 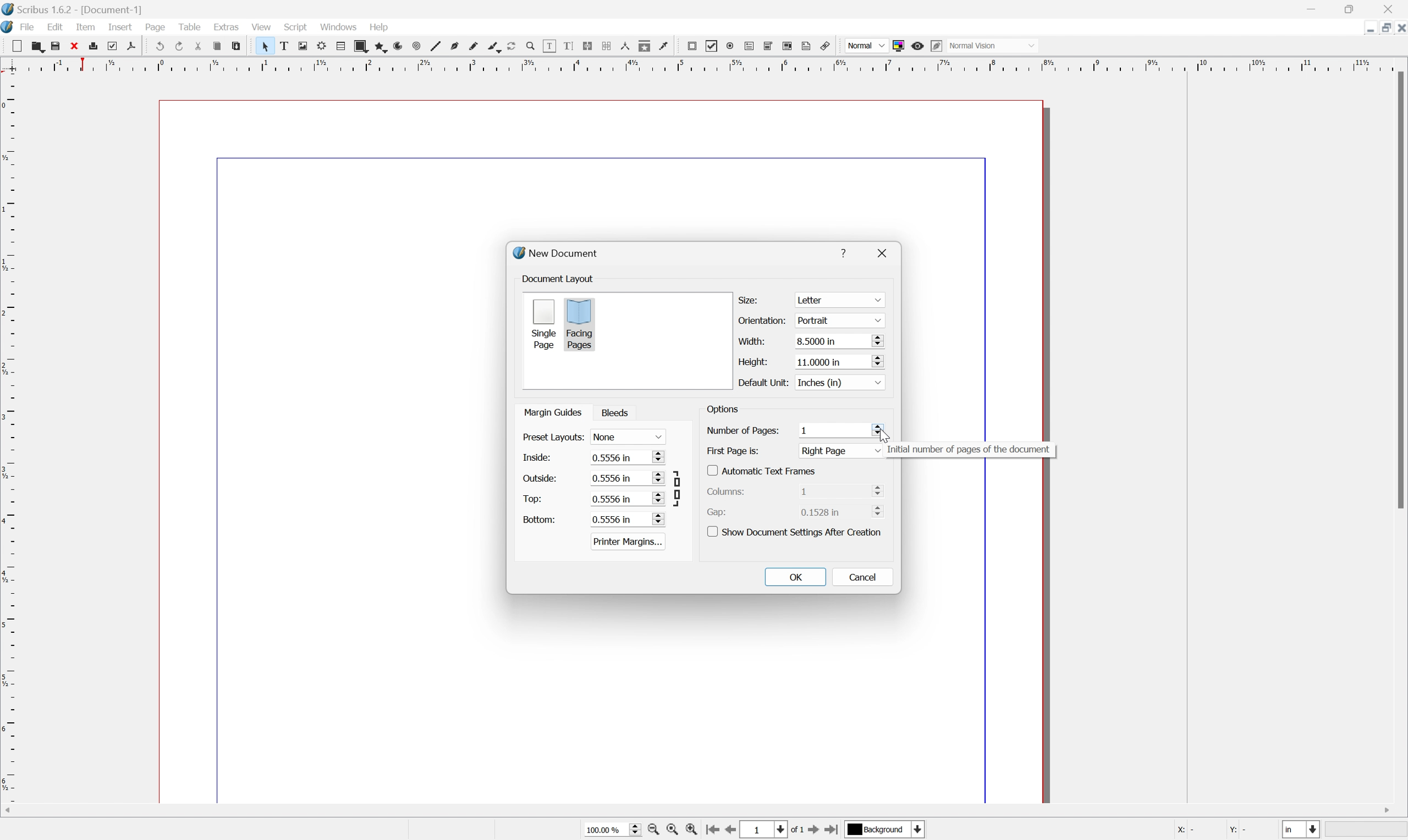 I want to click on Edit, so click(x=55, y=28).